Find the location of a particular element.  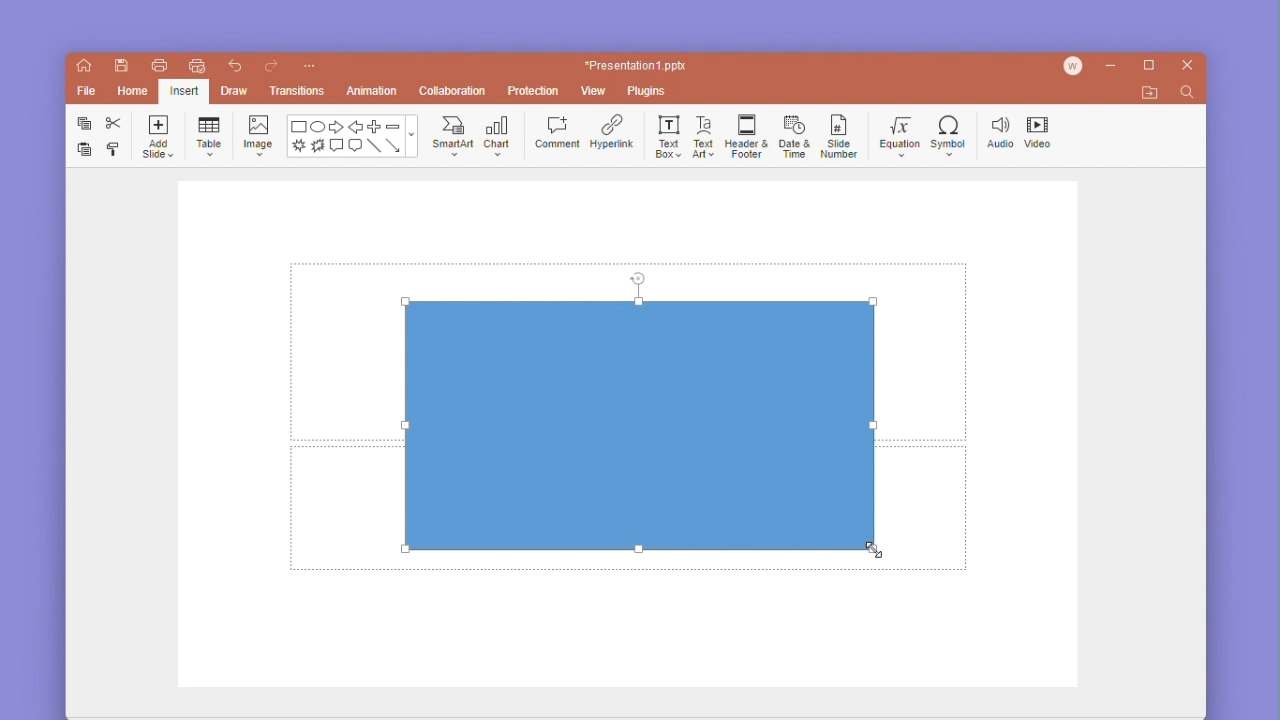

rectangle shape is located at coordinates (642, 426).